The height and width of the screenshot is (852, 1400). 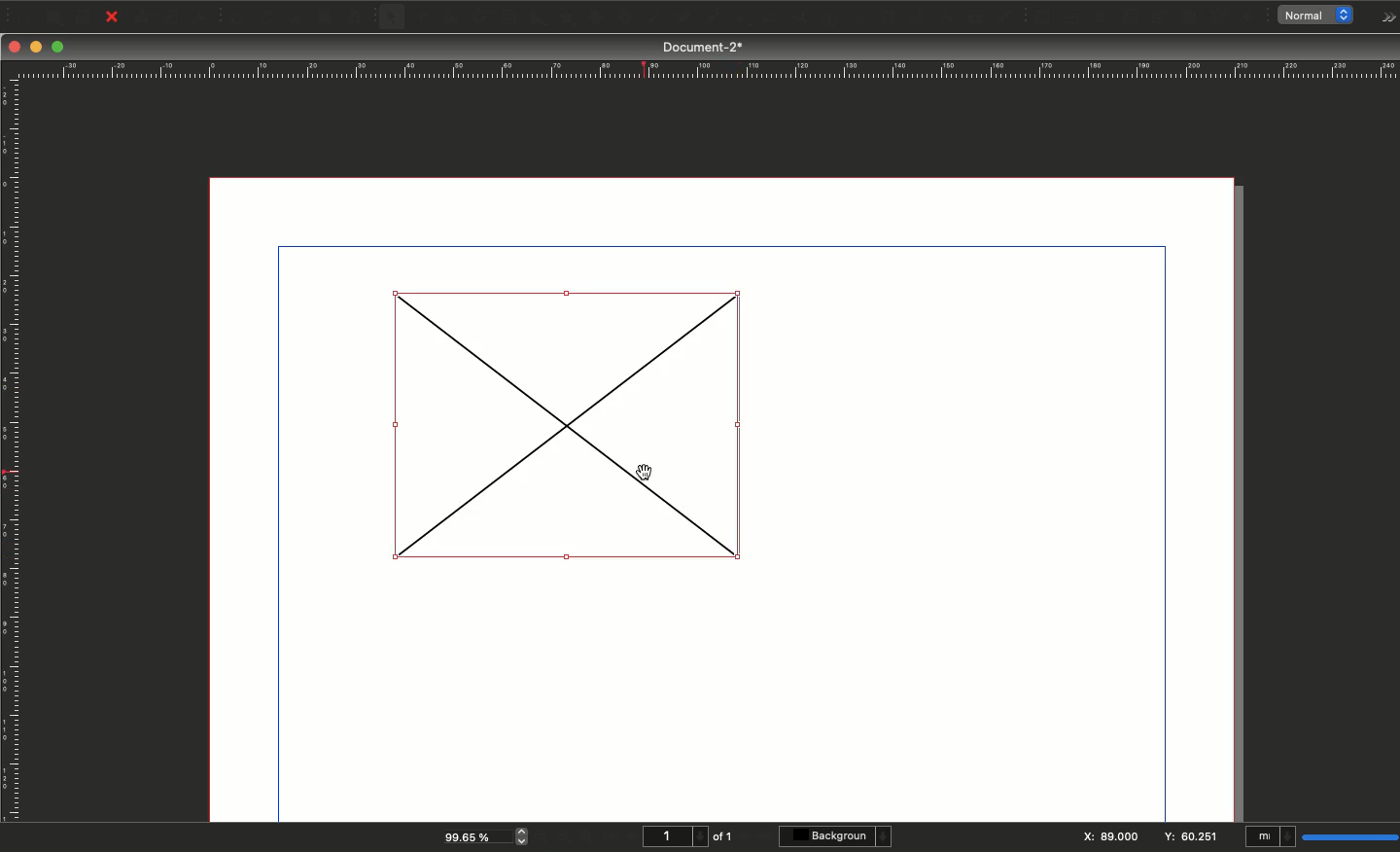 What do you see at coordinates (652, 18) in the screenshot?
I see `Line` at bounding box center [652, 18].